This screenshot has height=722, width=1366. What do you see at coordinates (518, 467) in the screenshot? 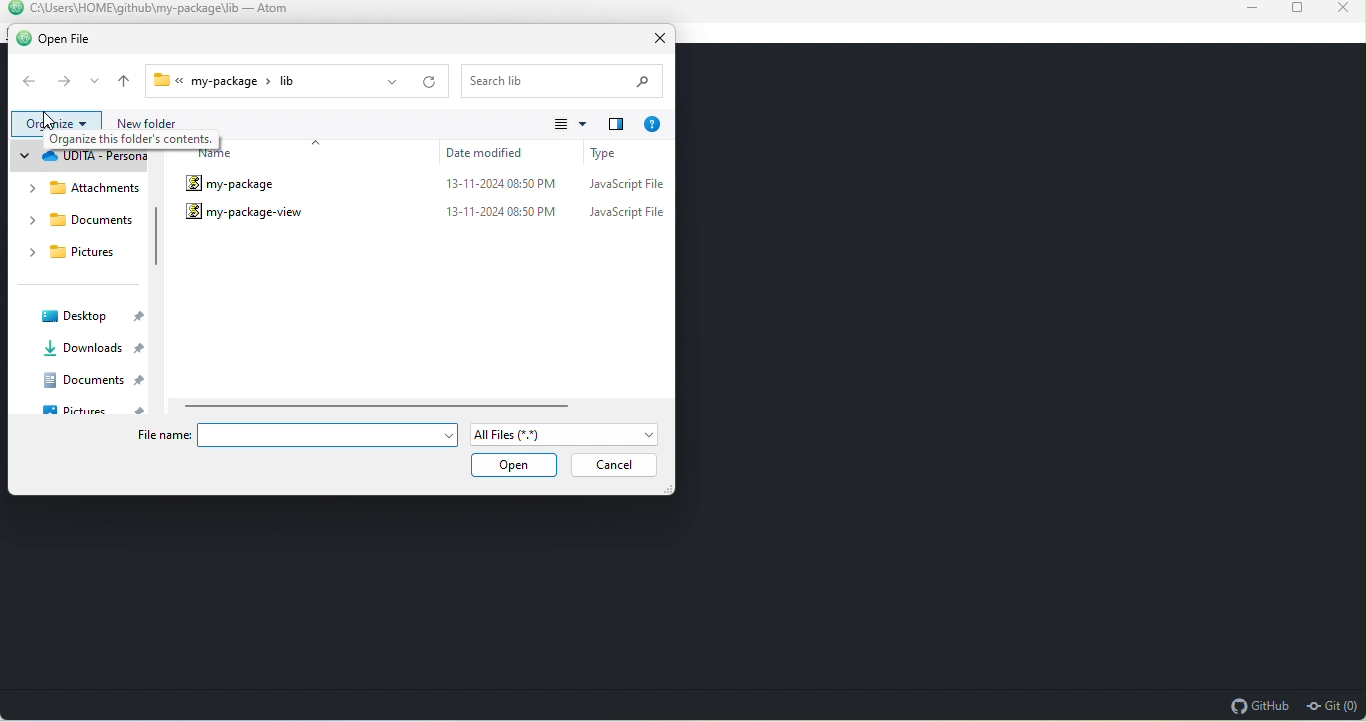
I see `open` at bounding box center [518, 467].